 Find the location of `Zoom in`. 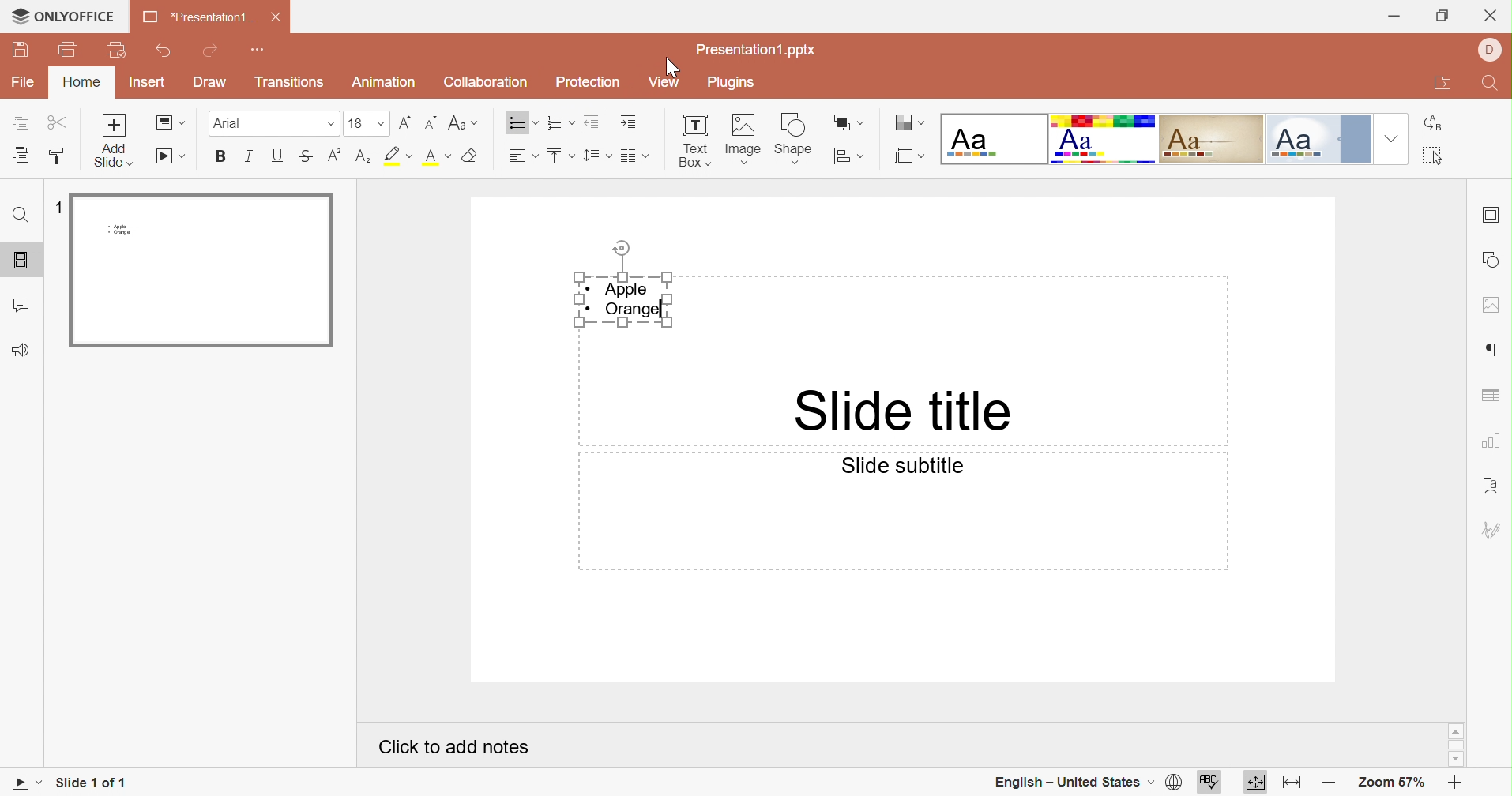

Zoom in is located at coordinates (1455, 783).